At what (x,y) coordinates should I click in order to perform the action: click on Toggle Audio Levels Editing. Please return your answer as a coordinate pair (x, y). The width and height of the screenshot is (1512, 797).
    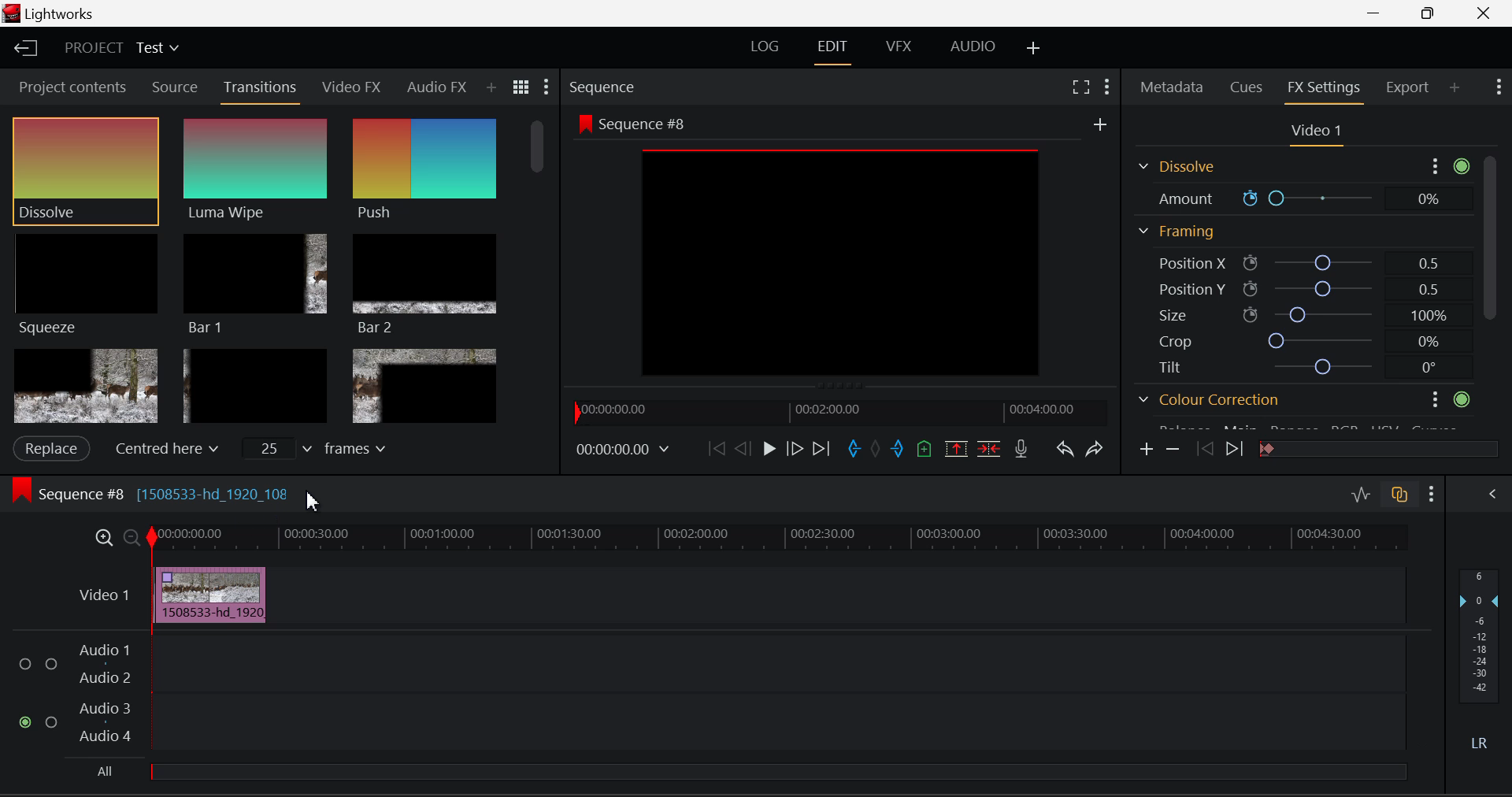
    Looking at the image, I should click on (1360, 498).